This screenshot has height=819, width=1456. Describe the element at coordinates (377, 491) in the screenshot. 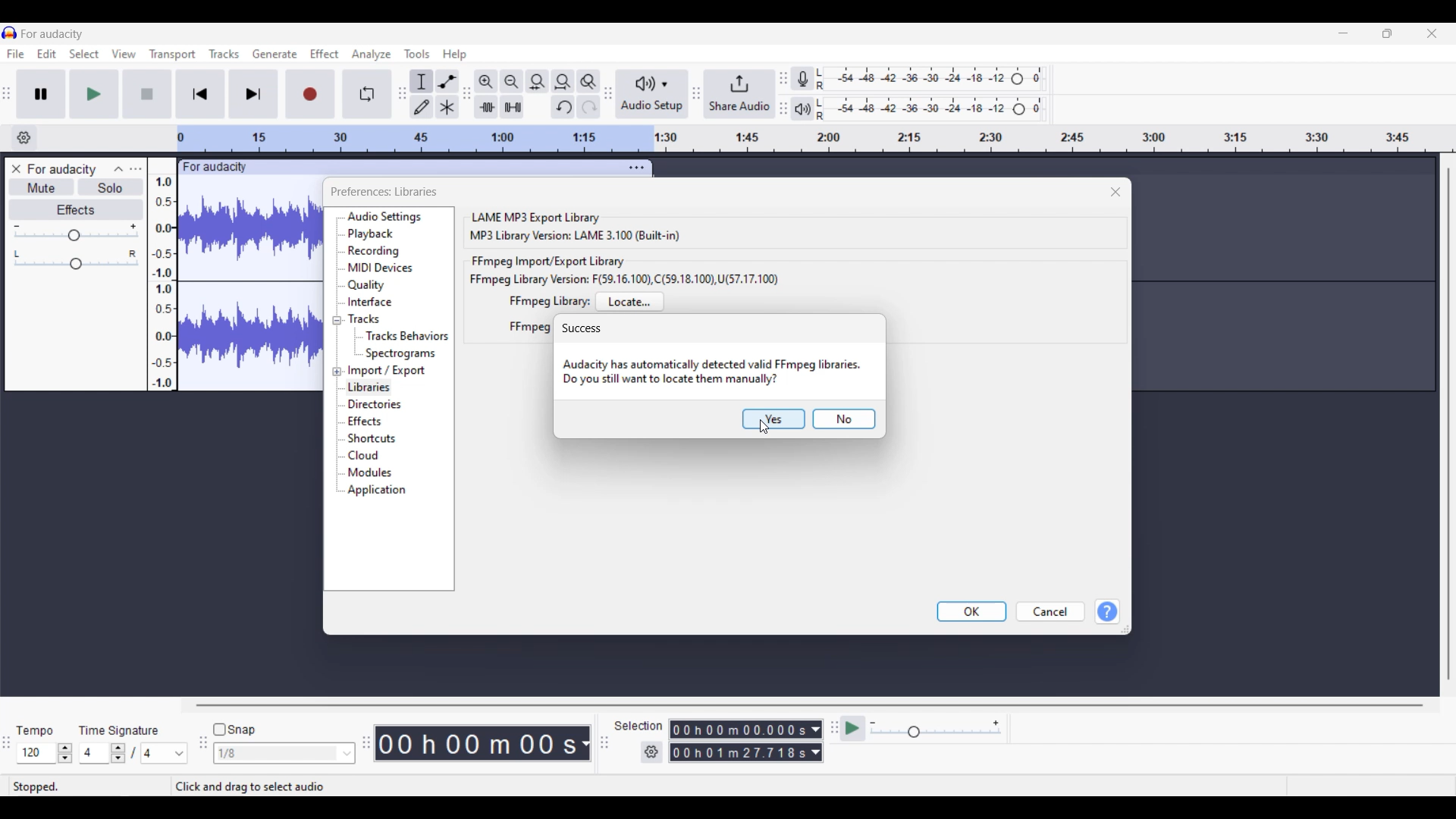

I see `Application` at that location.